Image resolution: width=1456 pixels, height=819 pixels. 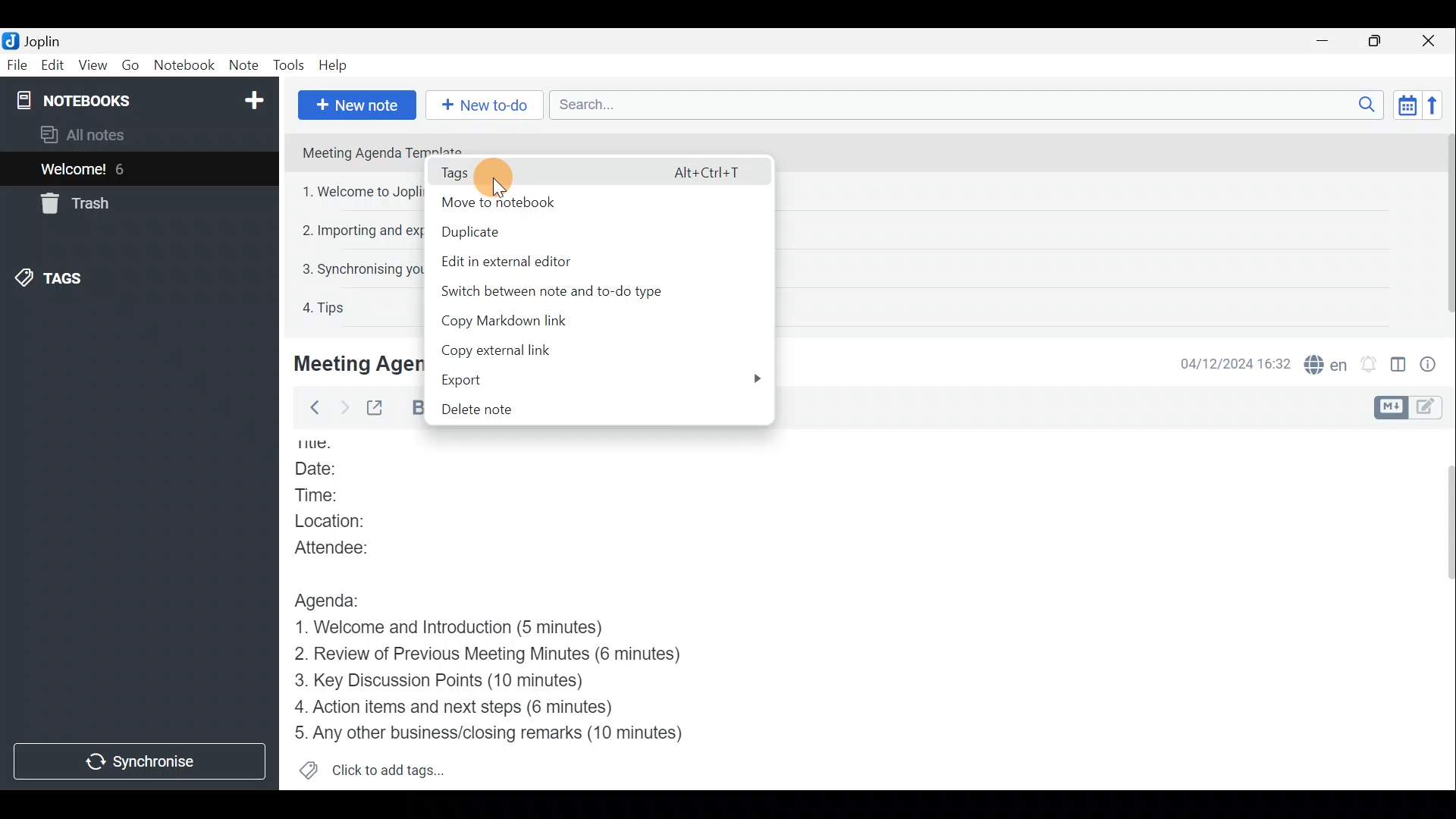 I want to click on Switch between note and to-do type, so click(x=576, y=290).